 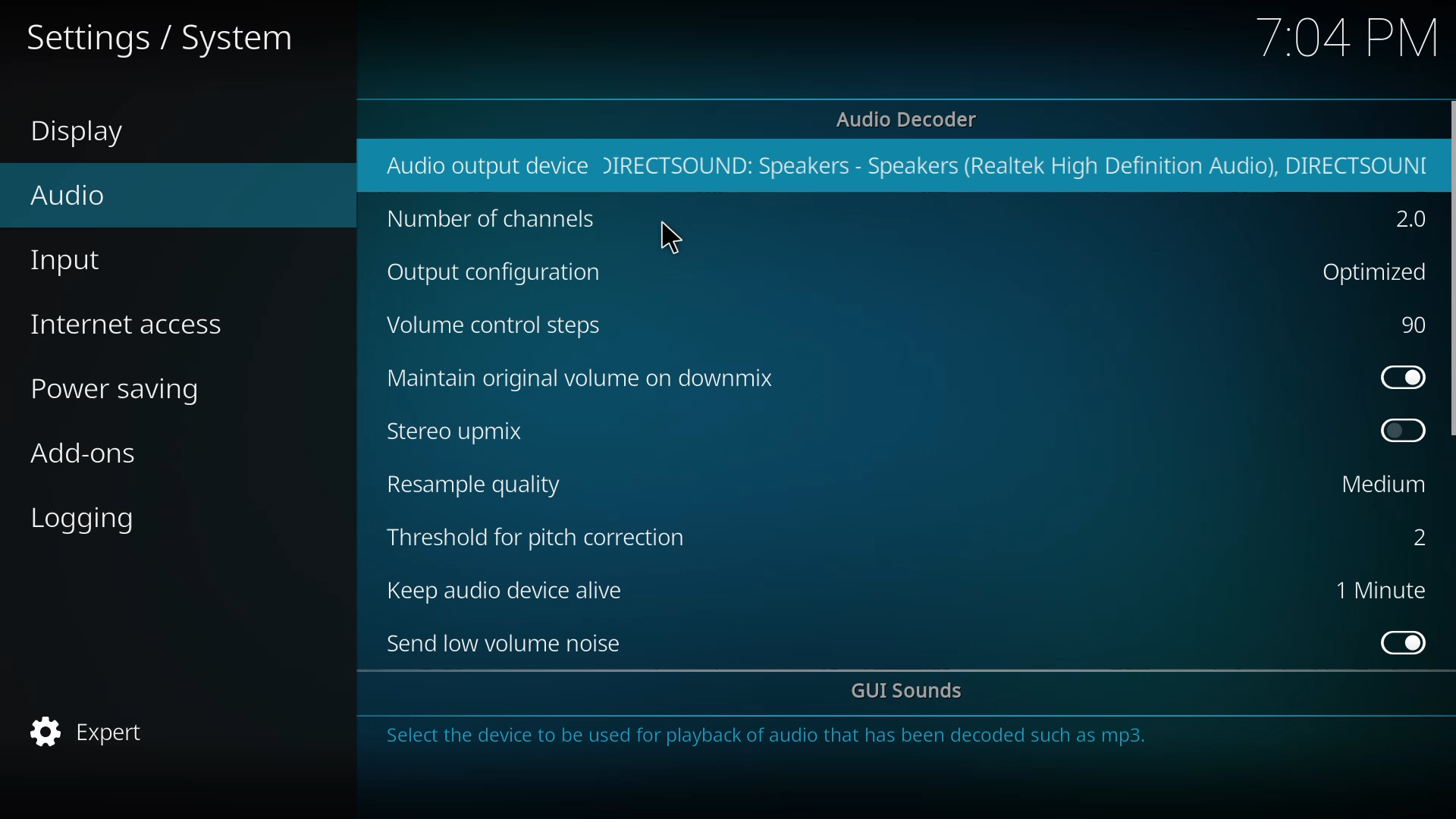 What do you see at coordinates (770, 740) in the screenshot?
I see `info` at bounding box center [770, 740].